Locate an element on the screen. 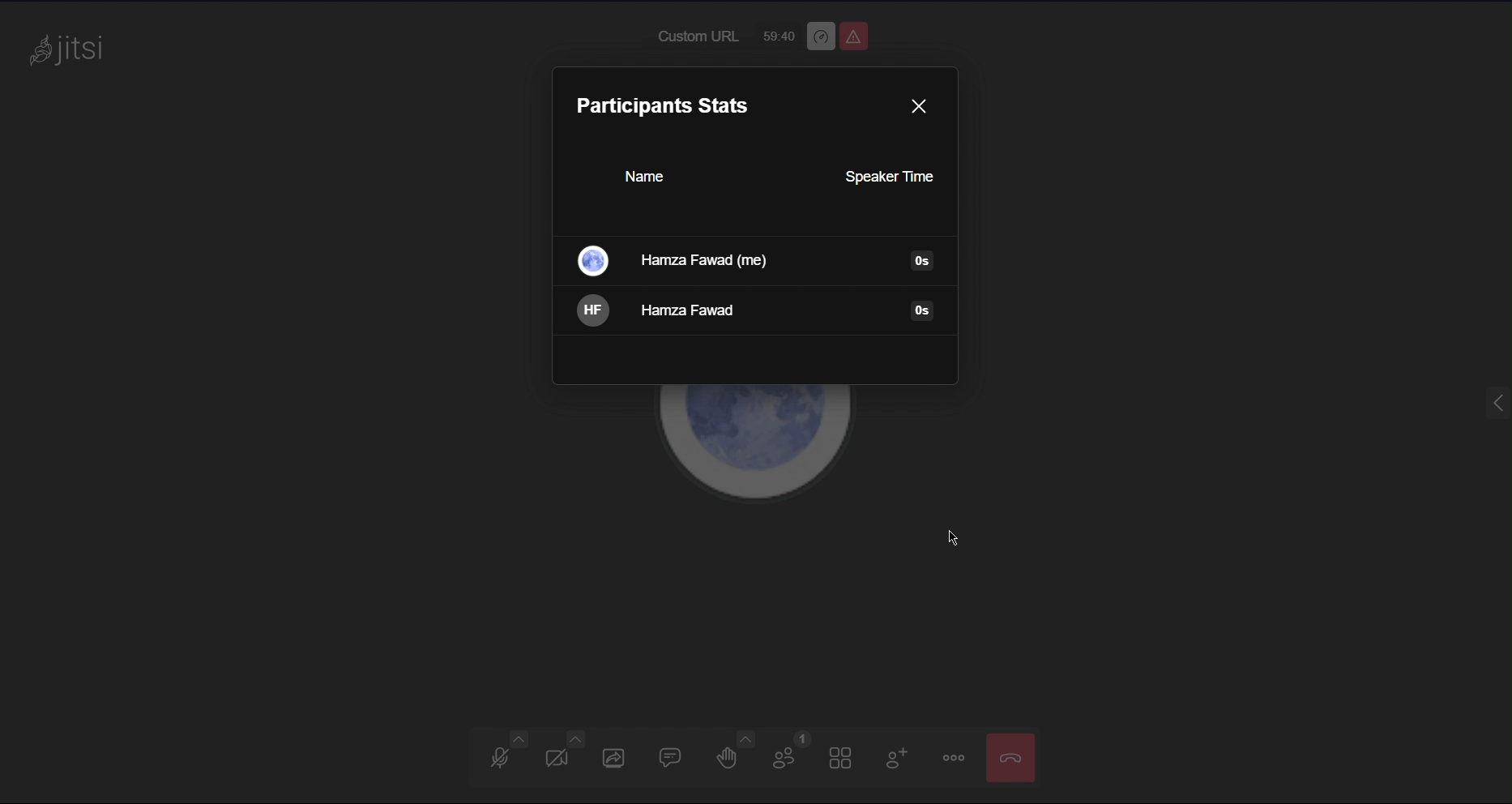 The image size is (1512, 804). Speaker Time is located at coordinates (889, 177).